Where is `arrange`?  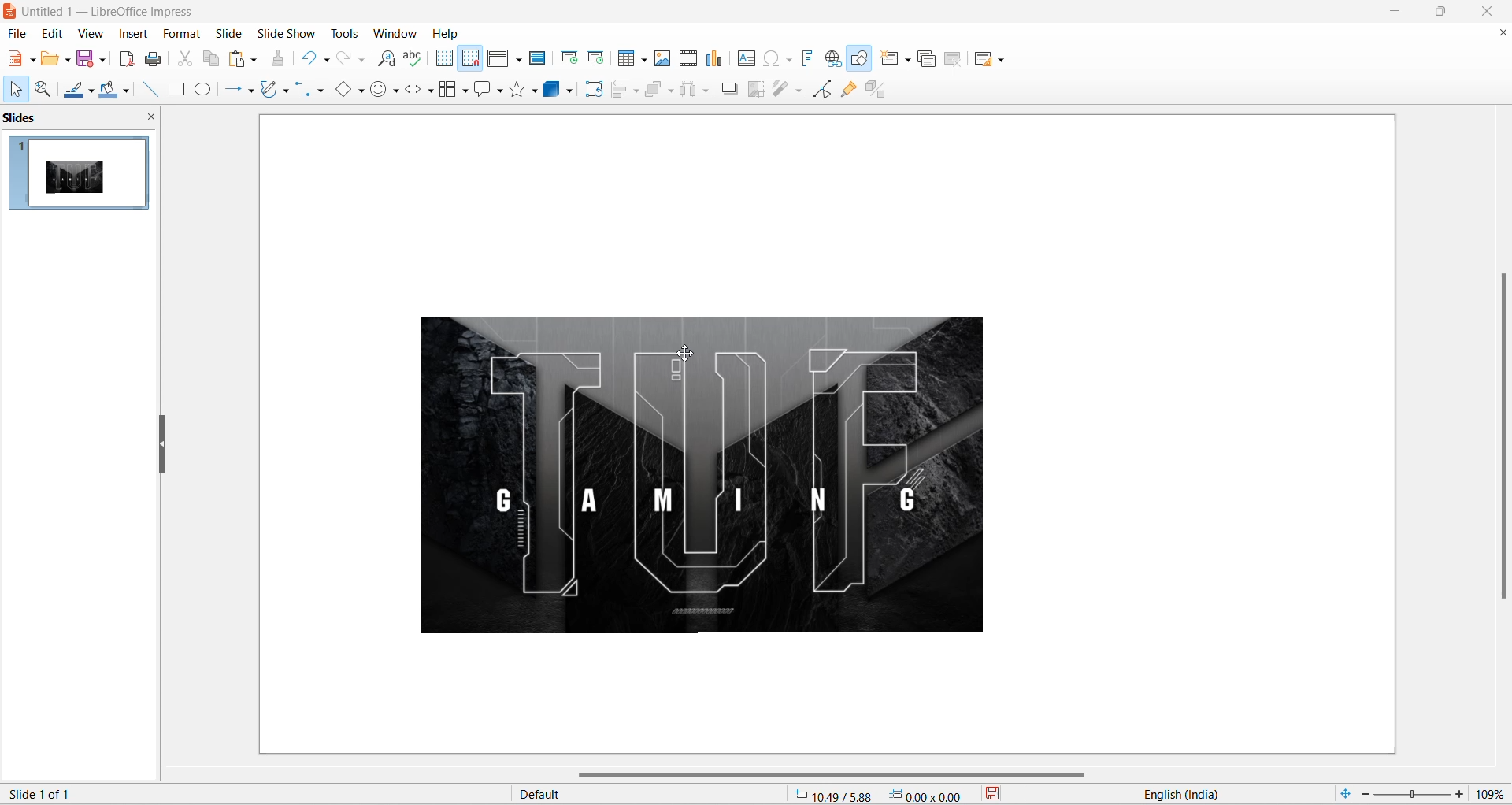
arrange is located at coordinates (658, 88).